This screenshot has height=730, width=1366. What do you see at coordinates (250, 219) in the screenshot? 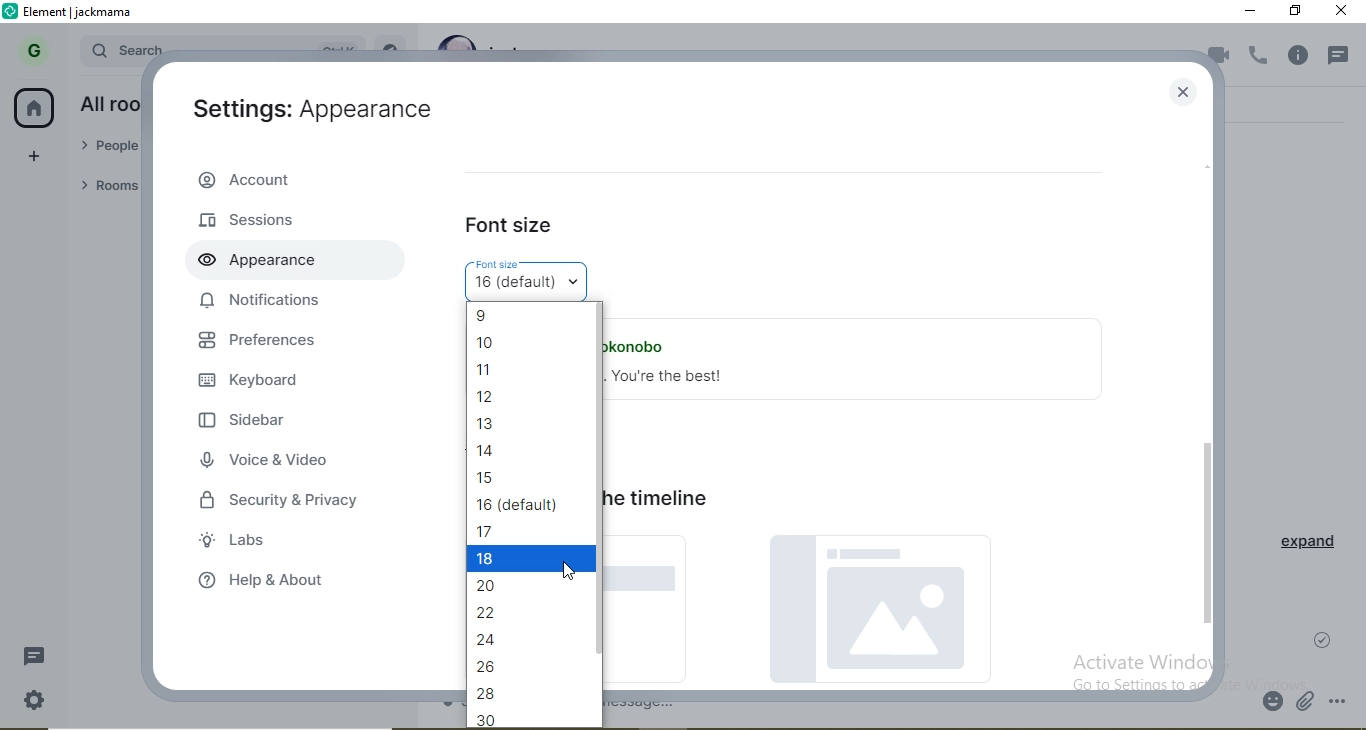
I see `sessions` at bounding box center [250, 219].